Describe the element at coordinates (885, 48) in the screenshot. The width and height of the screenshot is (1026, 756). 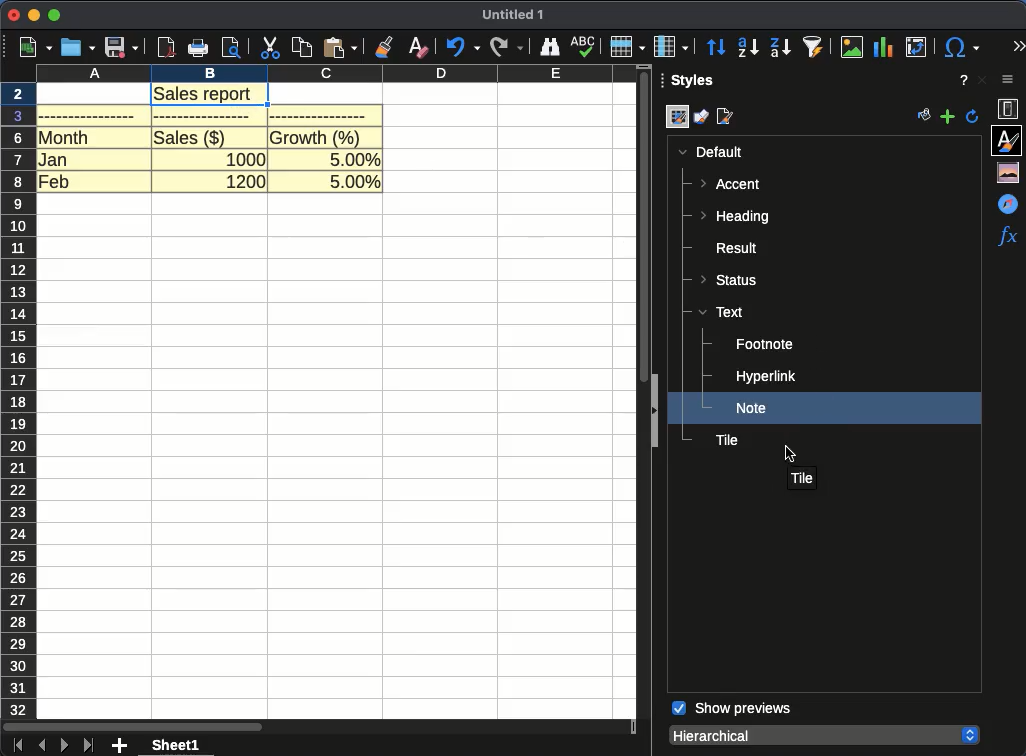
I see `chart` at that location.